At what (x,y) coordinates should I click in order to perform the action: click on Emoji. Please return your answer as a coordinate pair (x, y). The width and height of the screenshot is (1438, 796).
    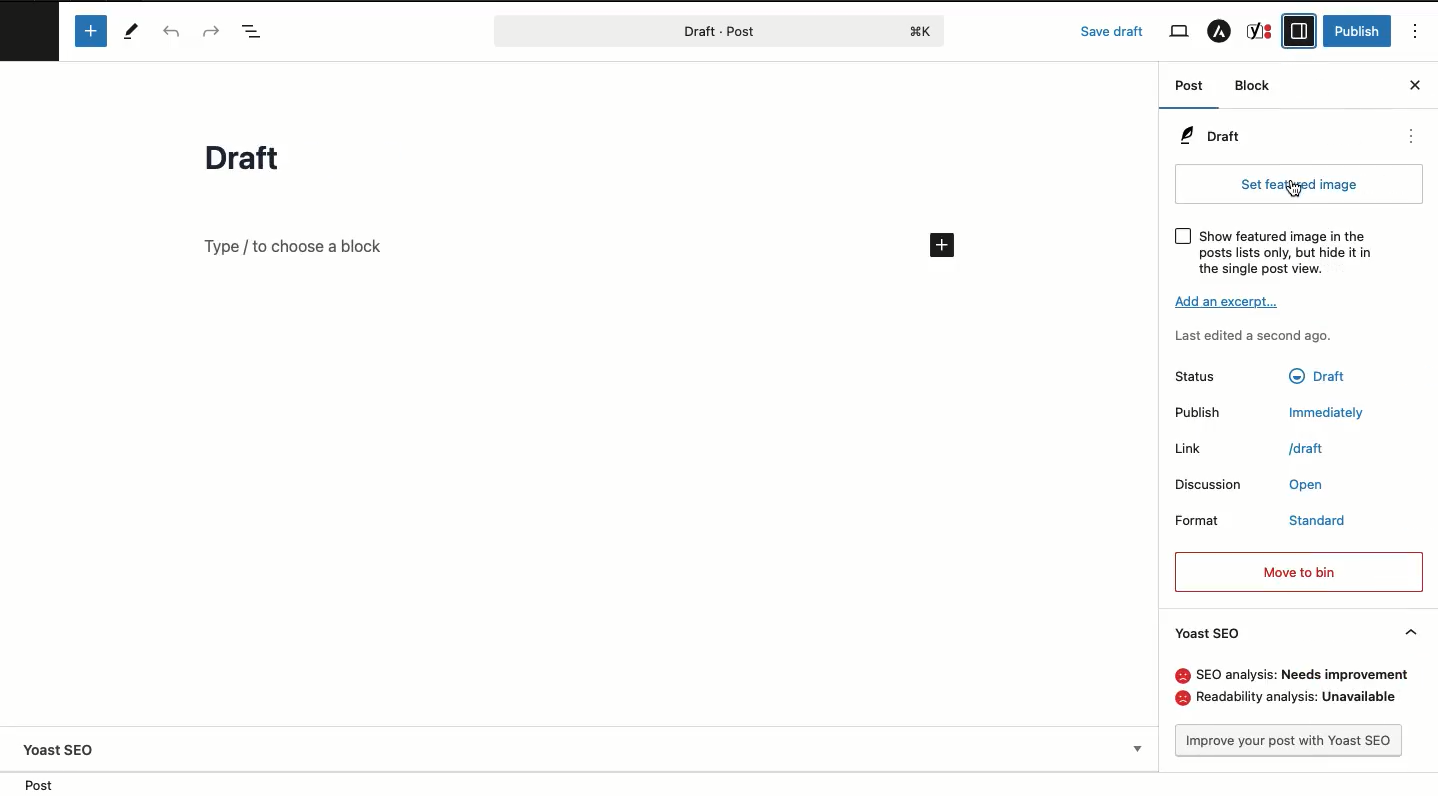
    Looking at the image, I should click on (1184, 677).